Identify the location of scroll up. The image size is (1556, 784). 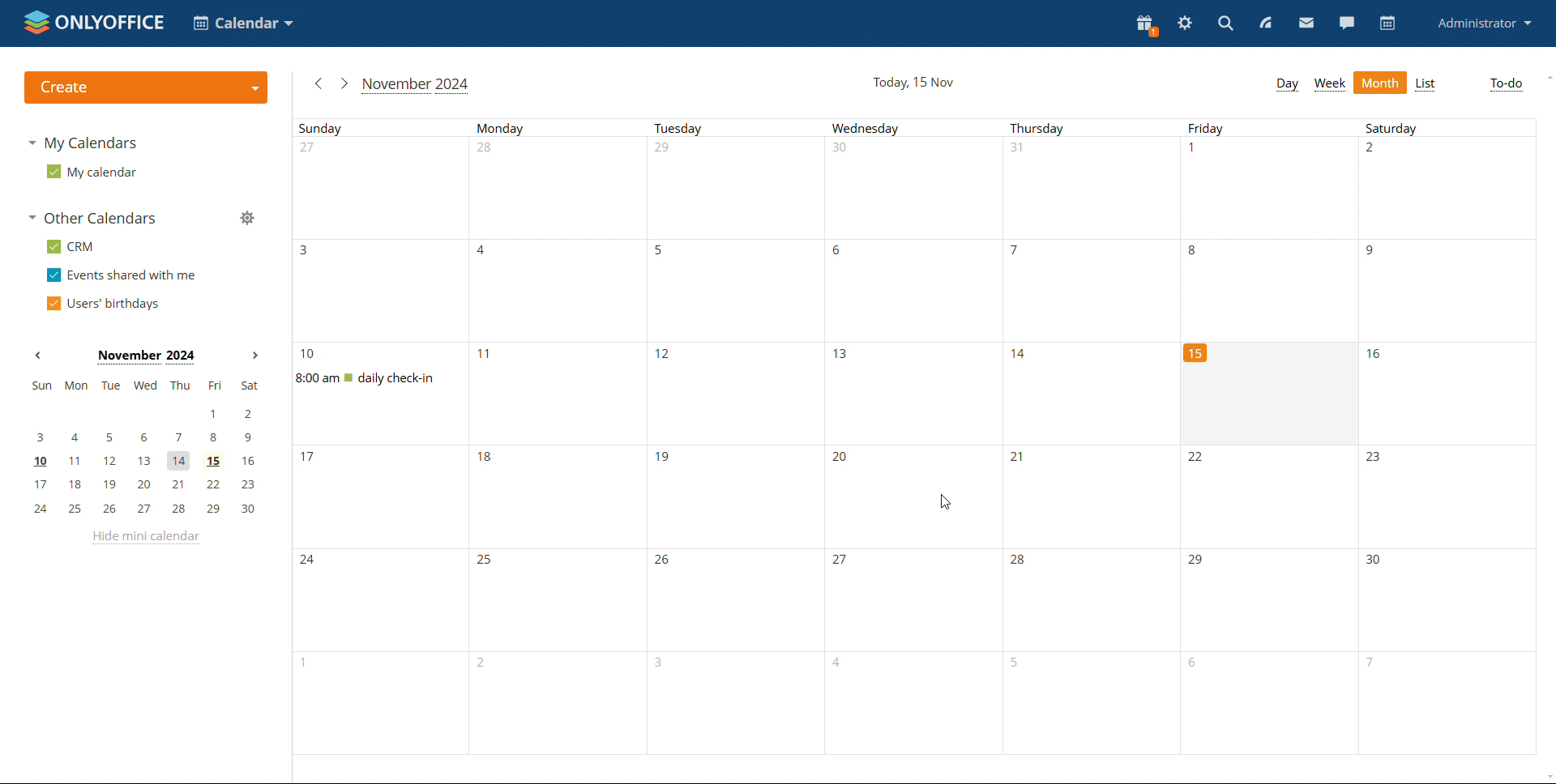
(1546, 77).